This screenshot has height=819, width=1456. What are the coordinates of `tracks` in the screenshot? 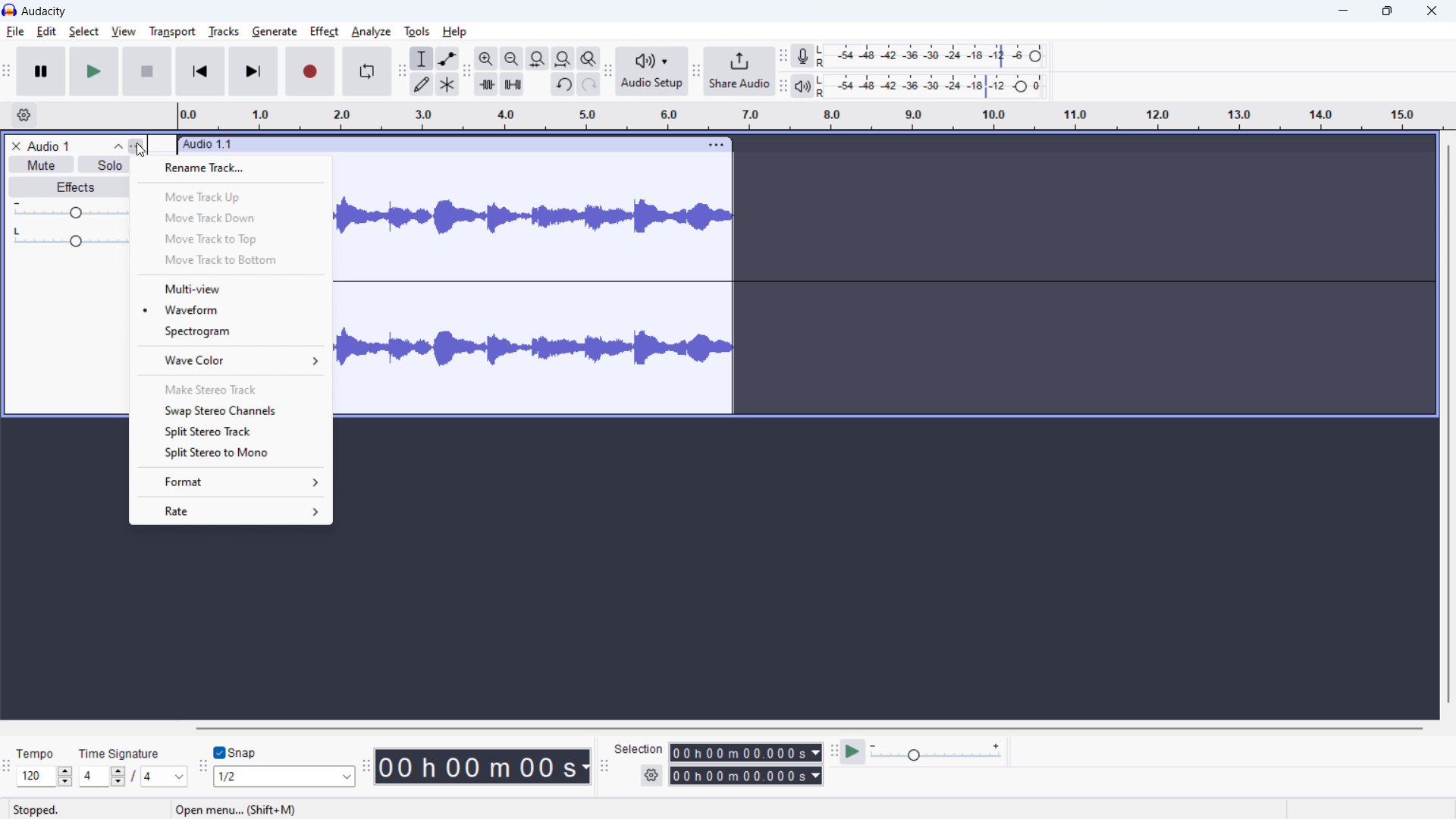 It's located at (224, 32).